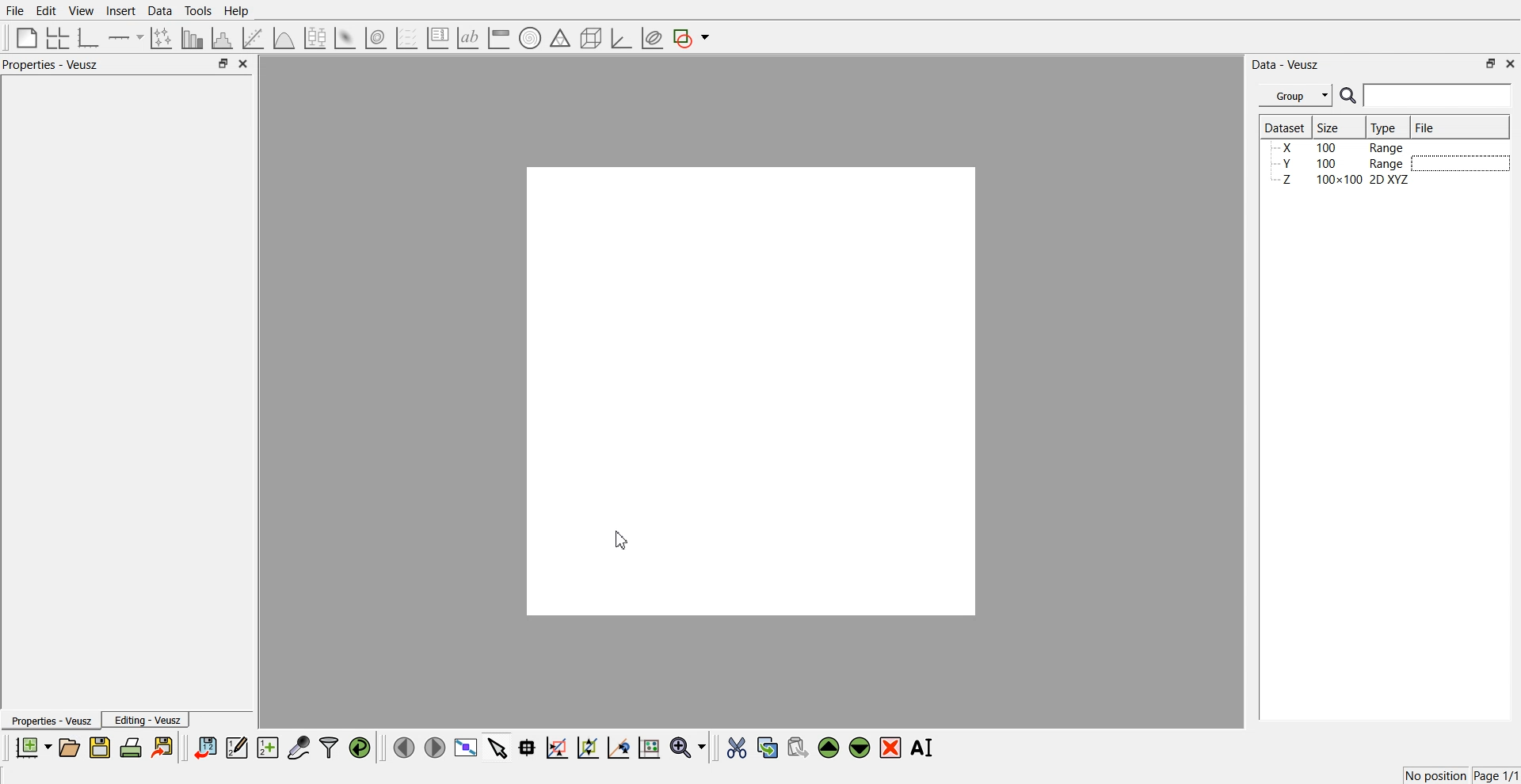 This screenshot has height=784, width=1521. I want to click on Zoom out of the graph axes, so click(588, 747).